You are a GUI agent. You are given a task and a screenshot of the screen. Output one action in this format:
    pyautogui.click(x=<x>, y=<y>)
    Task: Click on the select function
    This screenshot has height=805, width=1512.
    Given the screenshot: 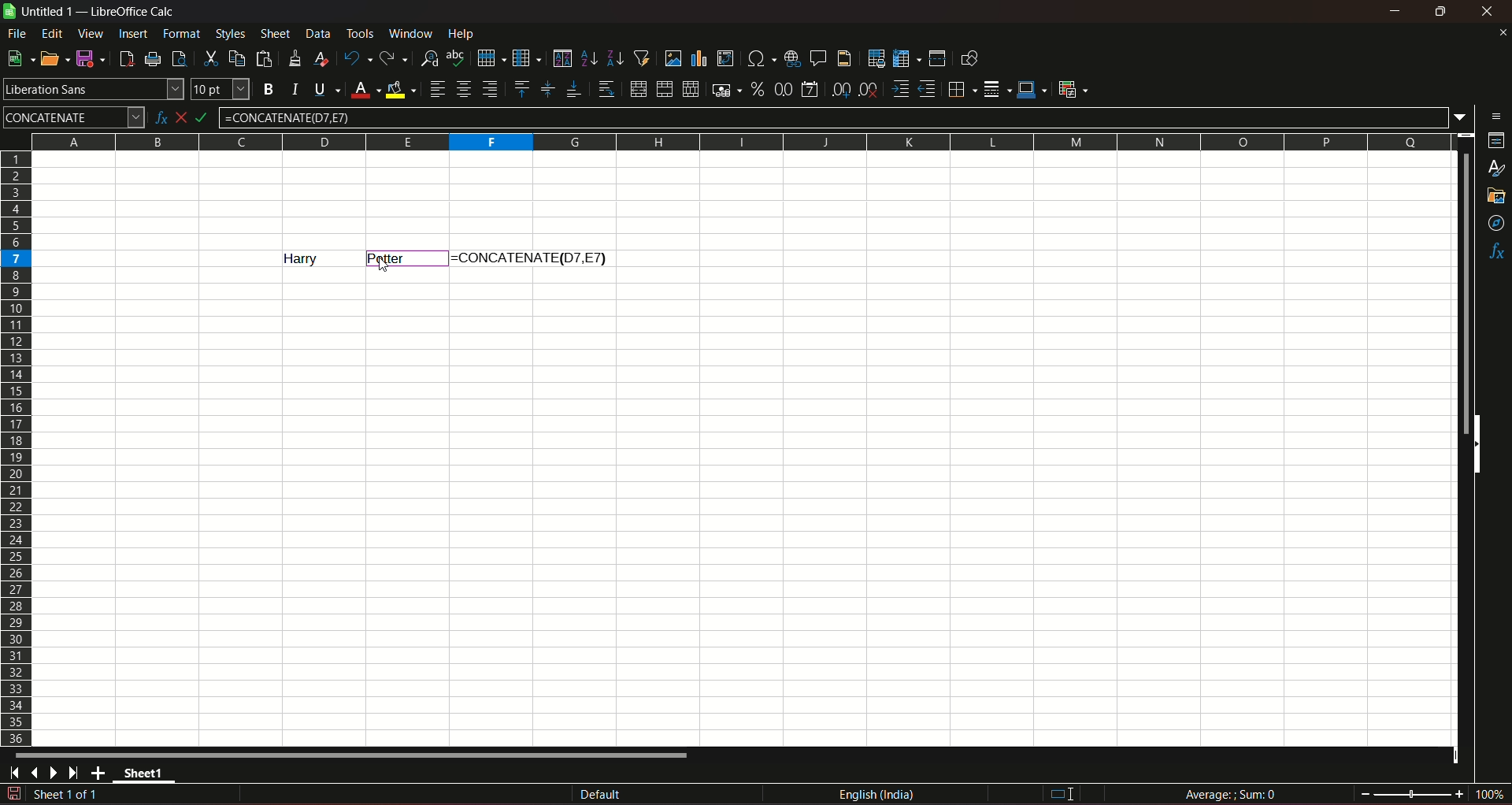 What is the action you would take?
    pyautogui.click(x=186, y=117)
    